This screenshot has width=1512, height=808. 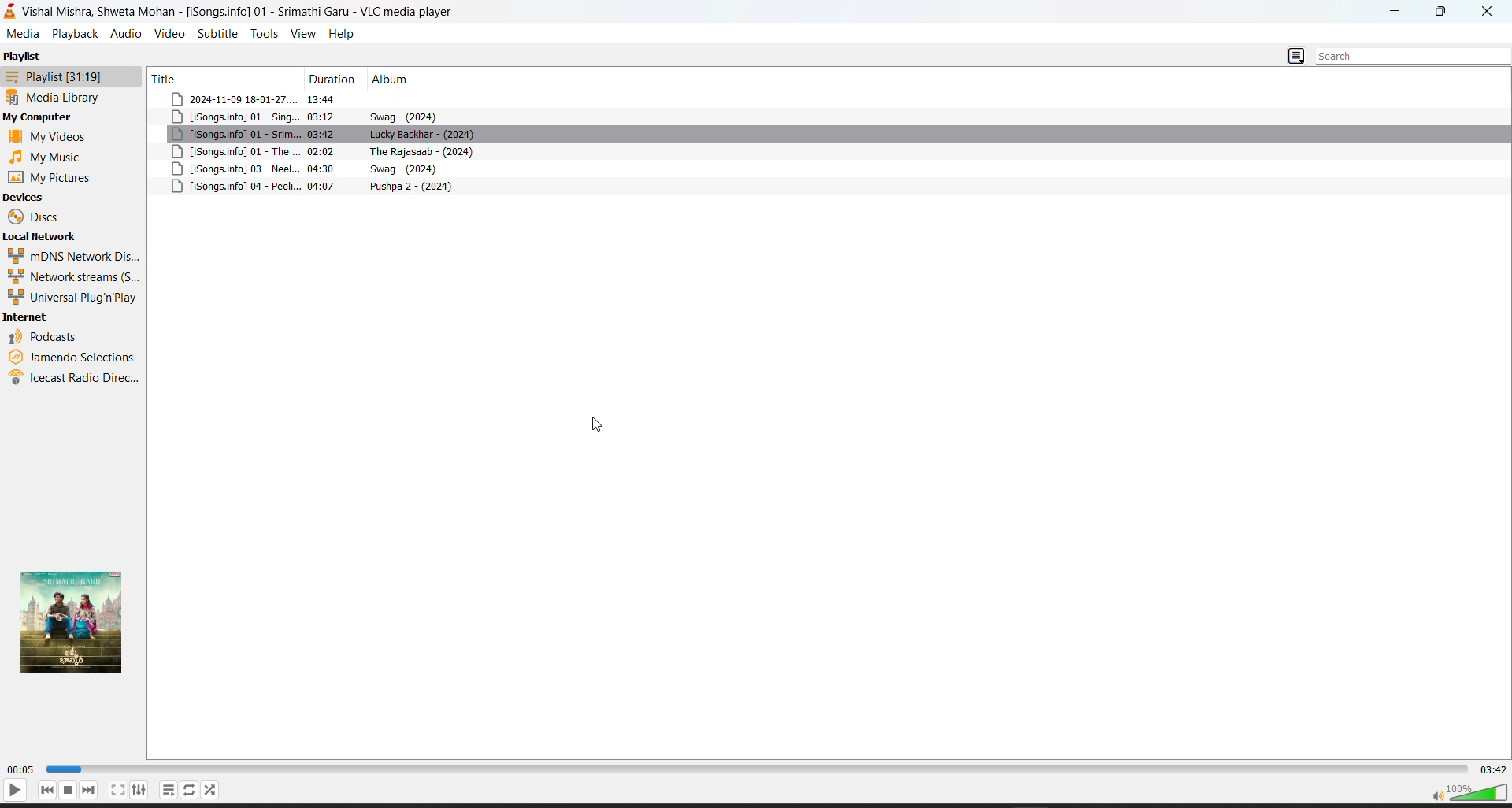 What do you see at coordinates (333, 78) in the screenshot?
I see `duration` at bounding box center [333, 78].